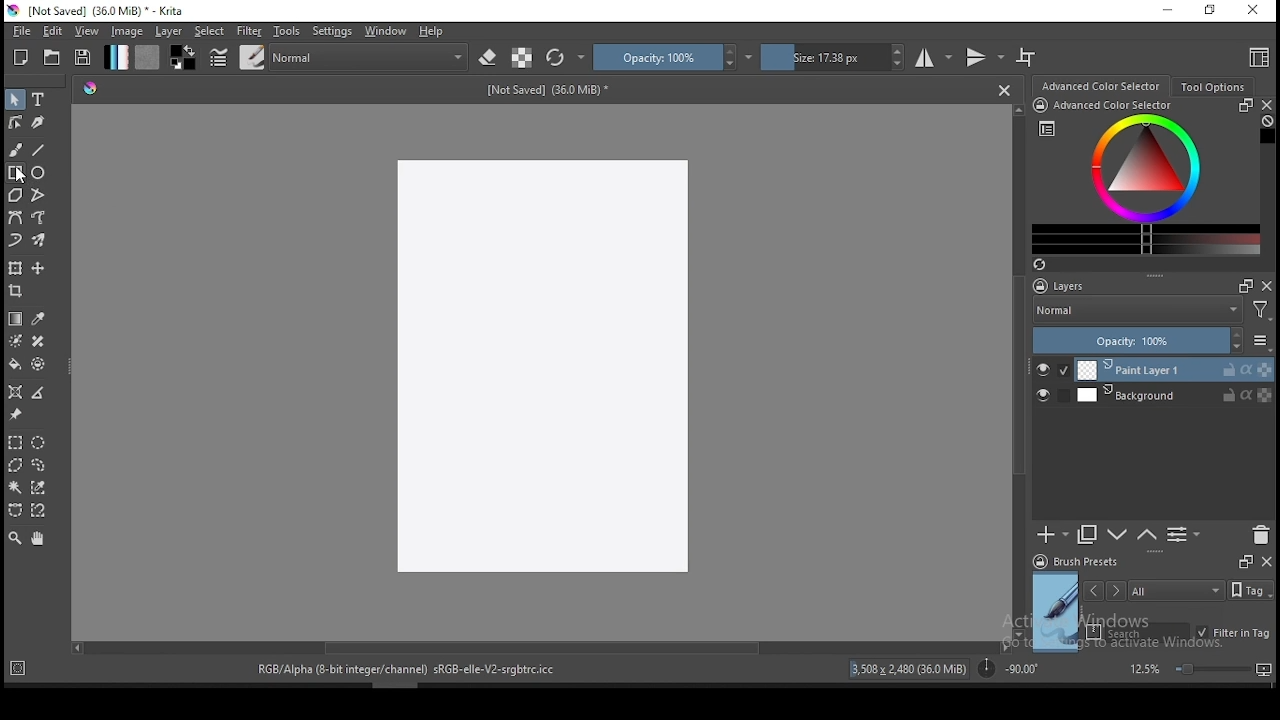  What do you see at coordinates (1200, 668) in the screenshot?
I see `zoom level` at bounding box center [1200, 668].